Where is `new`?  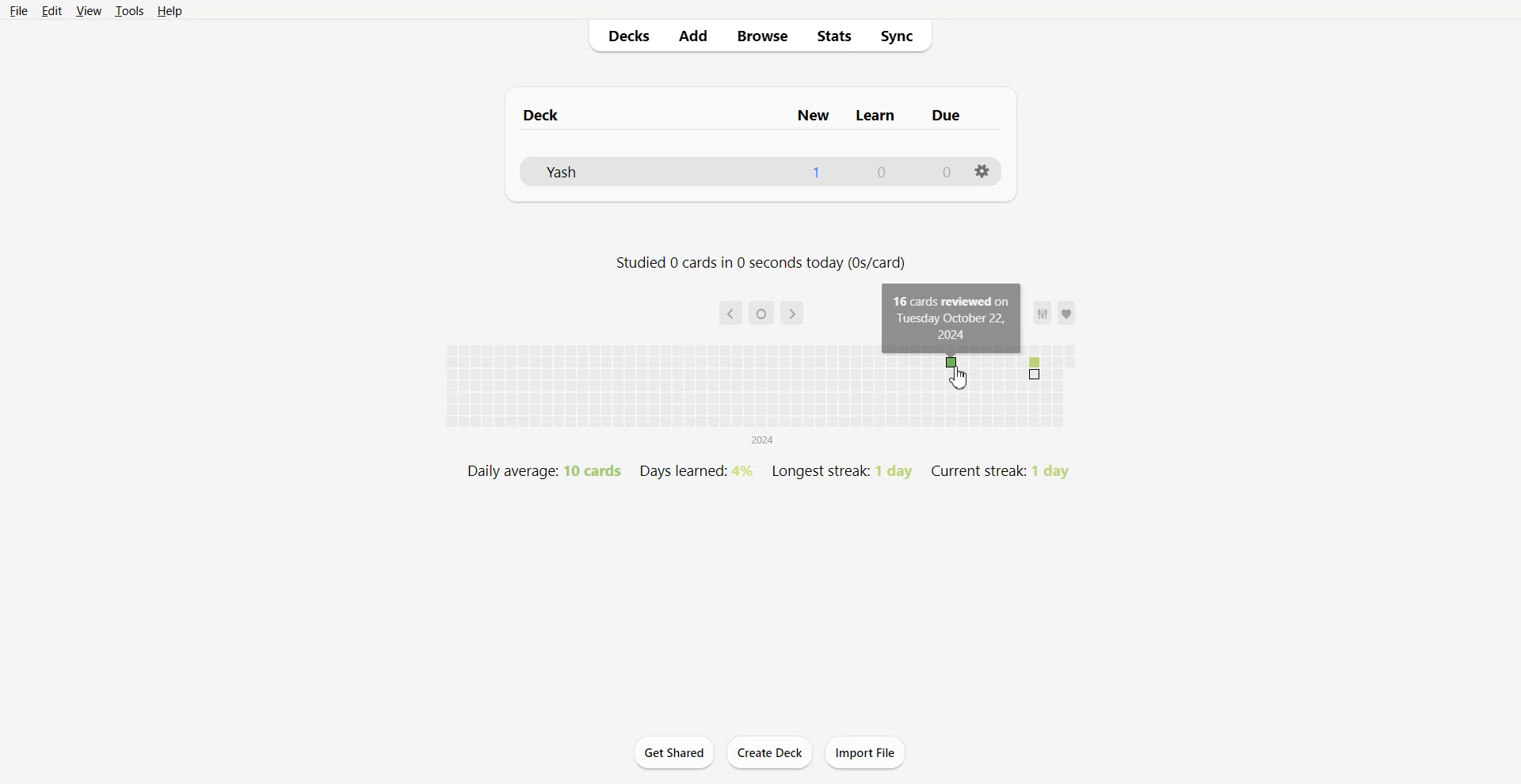 new is located at coordinates (815, 114).